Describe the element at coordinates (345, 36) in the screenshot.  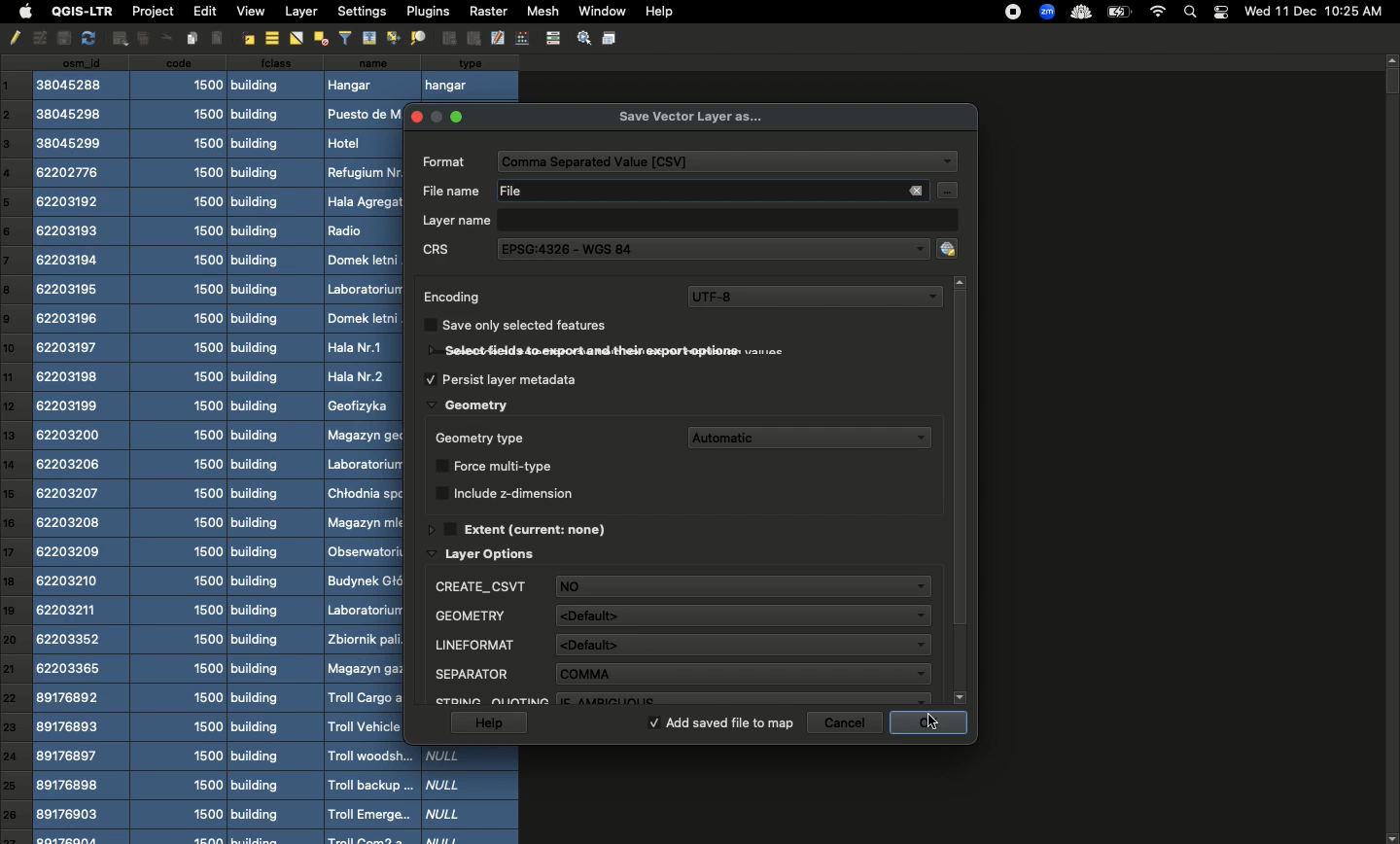
I see `filters` at that location.